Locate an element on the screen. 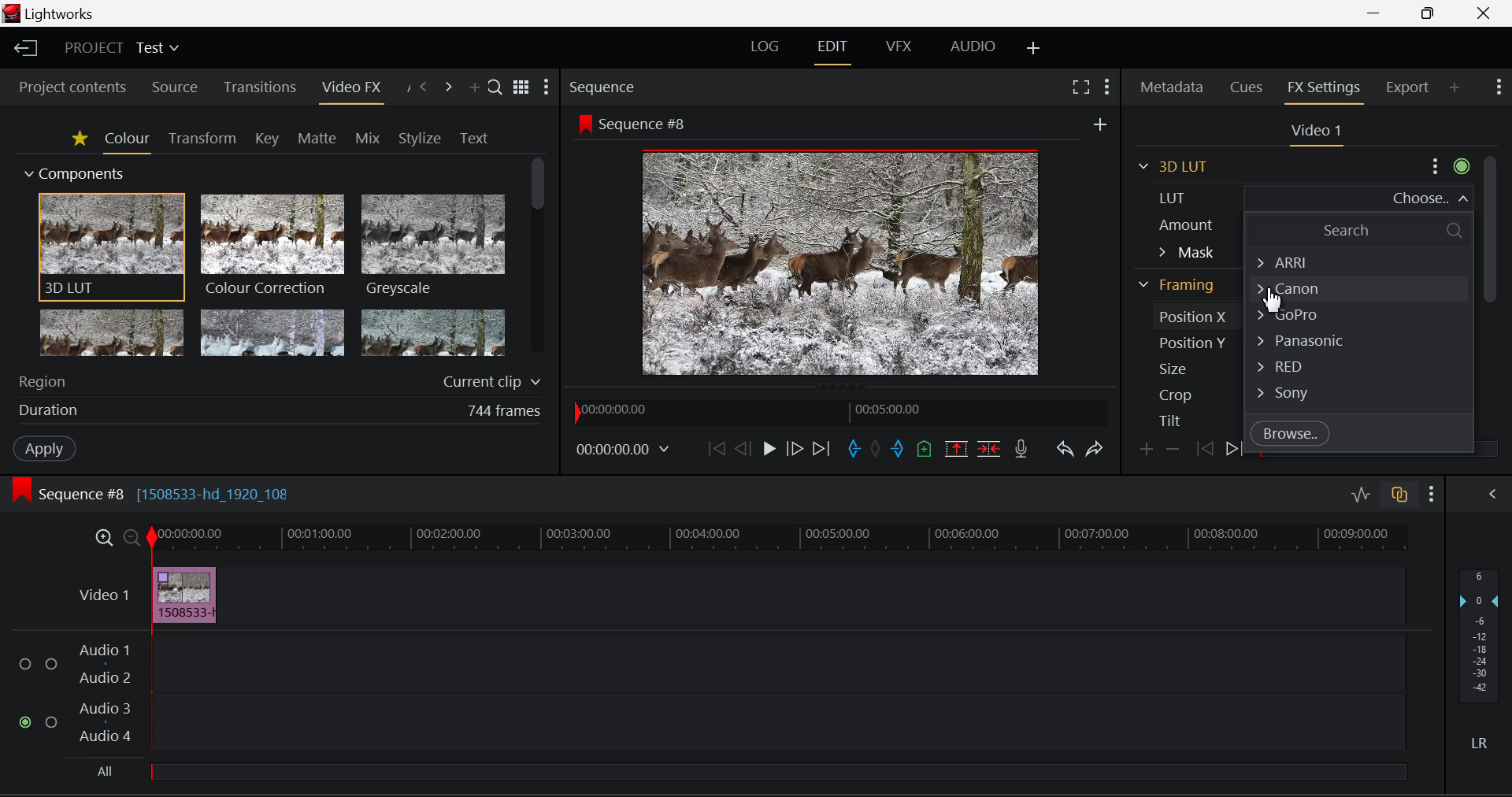 Image resolution: width=1512 pixels, height=797 pixels. Sequence #8 is located at coordinates (633, 123).